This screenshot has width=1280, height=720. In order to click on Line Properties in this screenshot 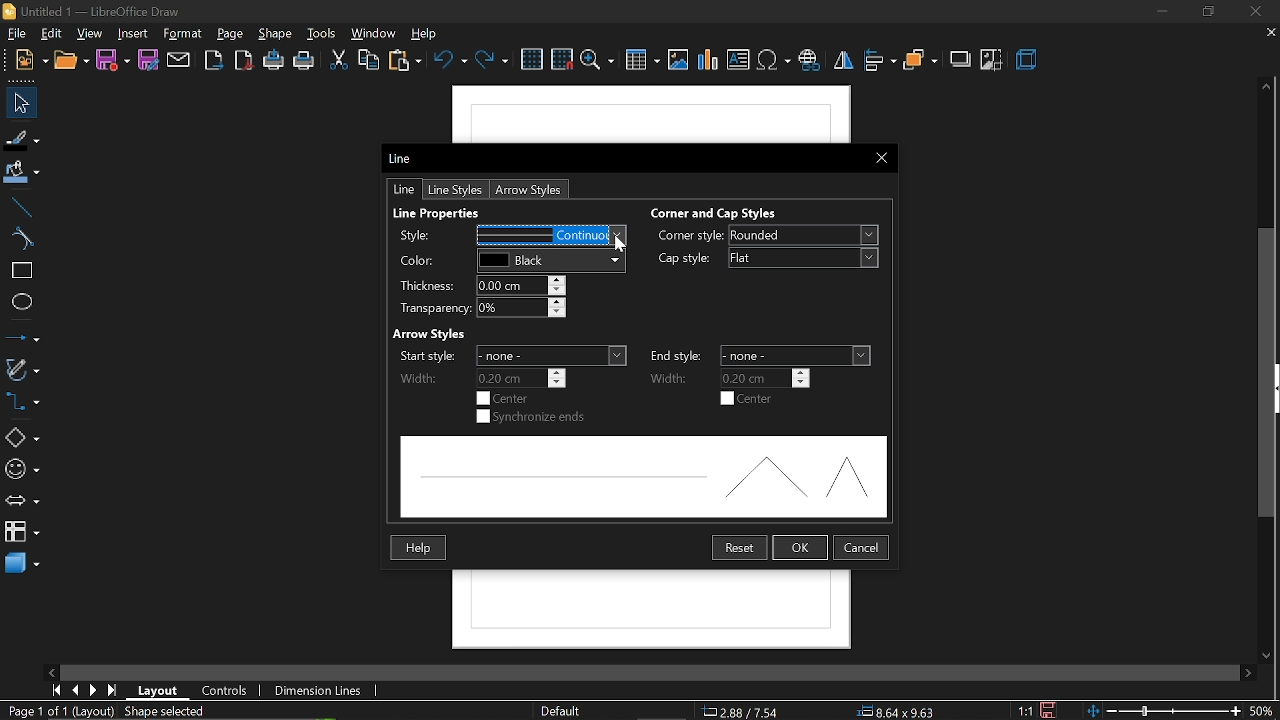, I will do `click(459, 212)`.